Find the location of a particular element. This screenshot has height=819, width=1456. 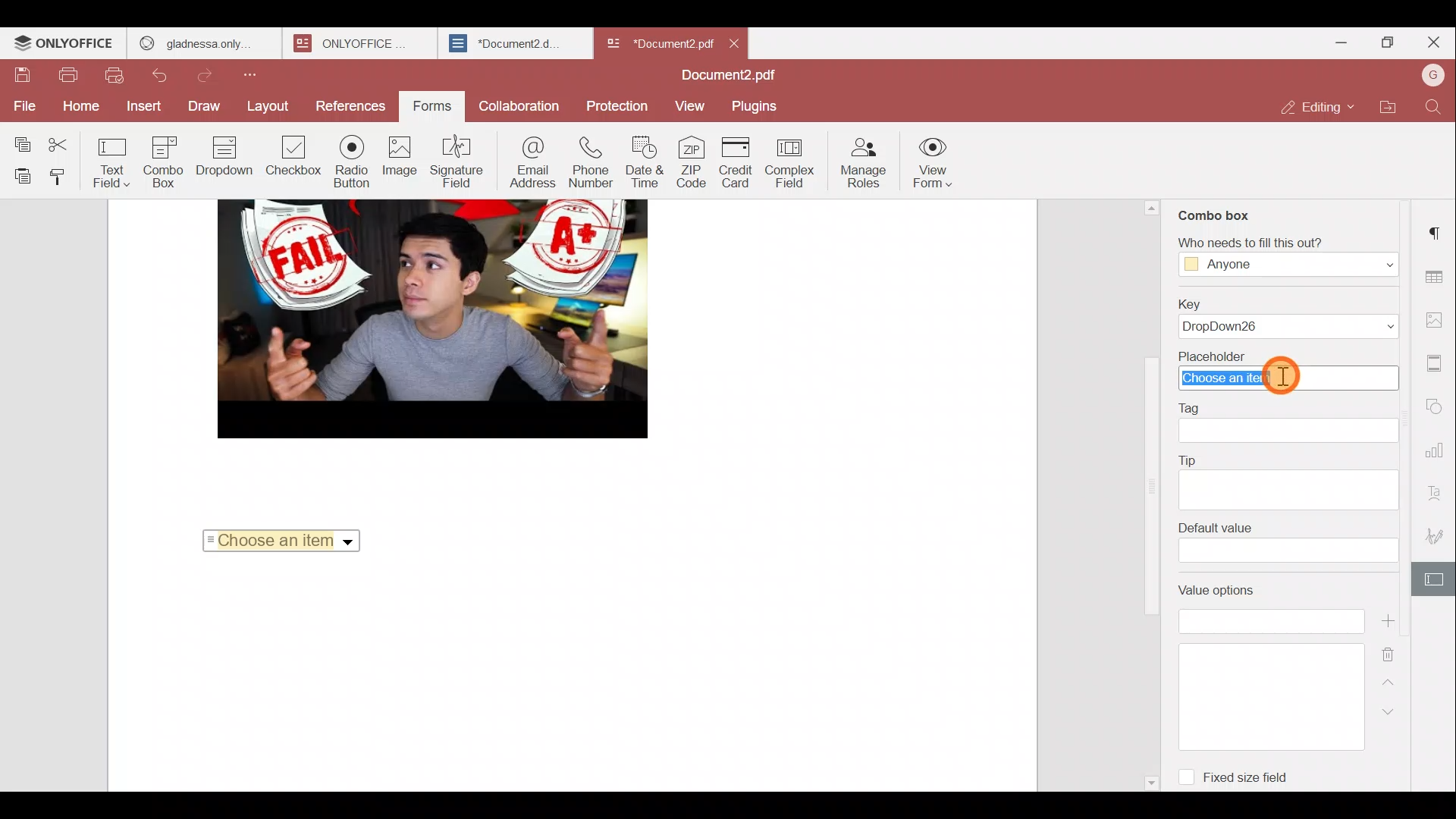

Customize quick access toolbar is located at coordinates (256, 80).